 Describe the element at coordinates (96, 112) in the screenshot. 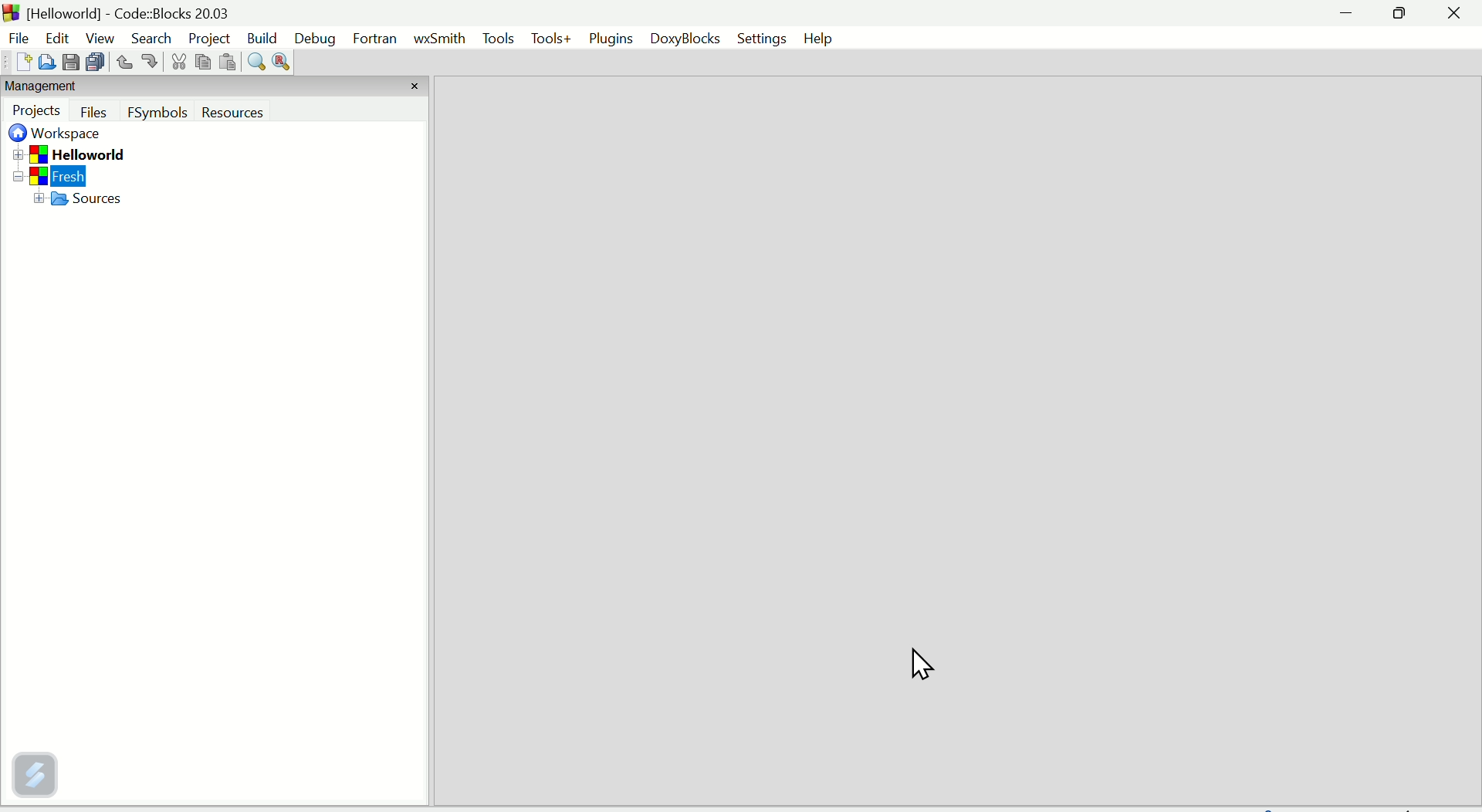

I see `` at that location.